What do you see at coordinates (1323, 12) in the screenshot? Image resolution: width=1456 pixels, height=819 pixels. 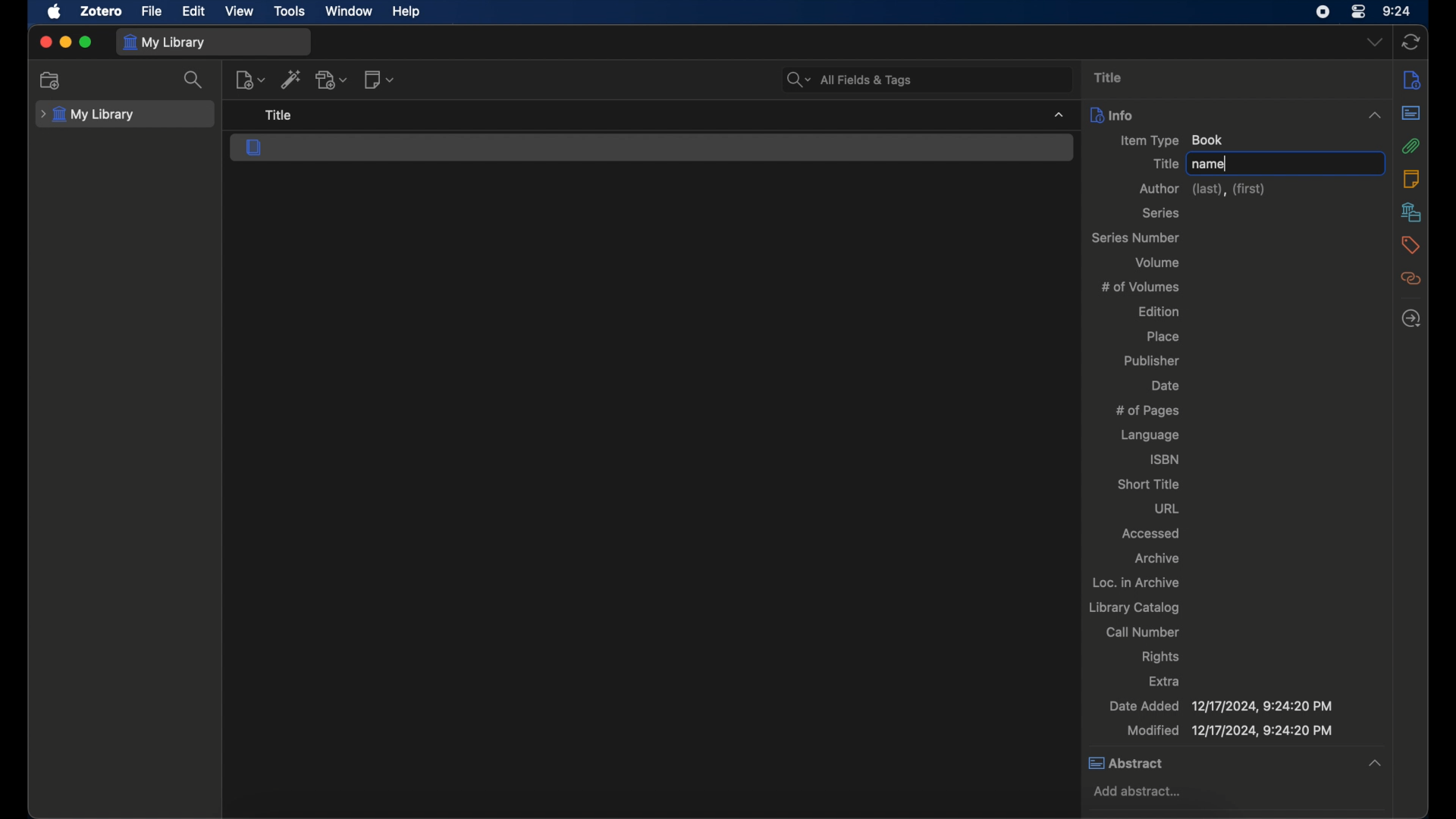 I see `screen recorder` at bounding box center [1323, 12].